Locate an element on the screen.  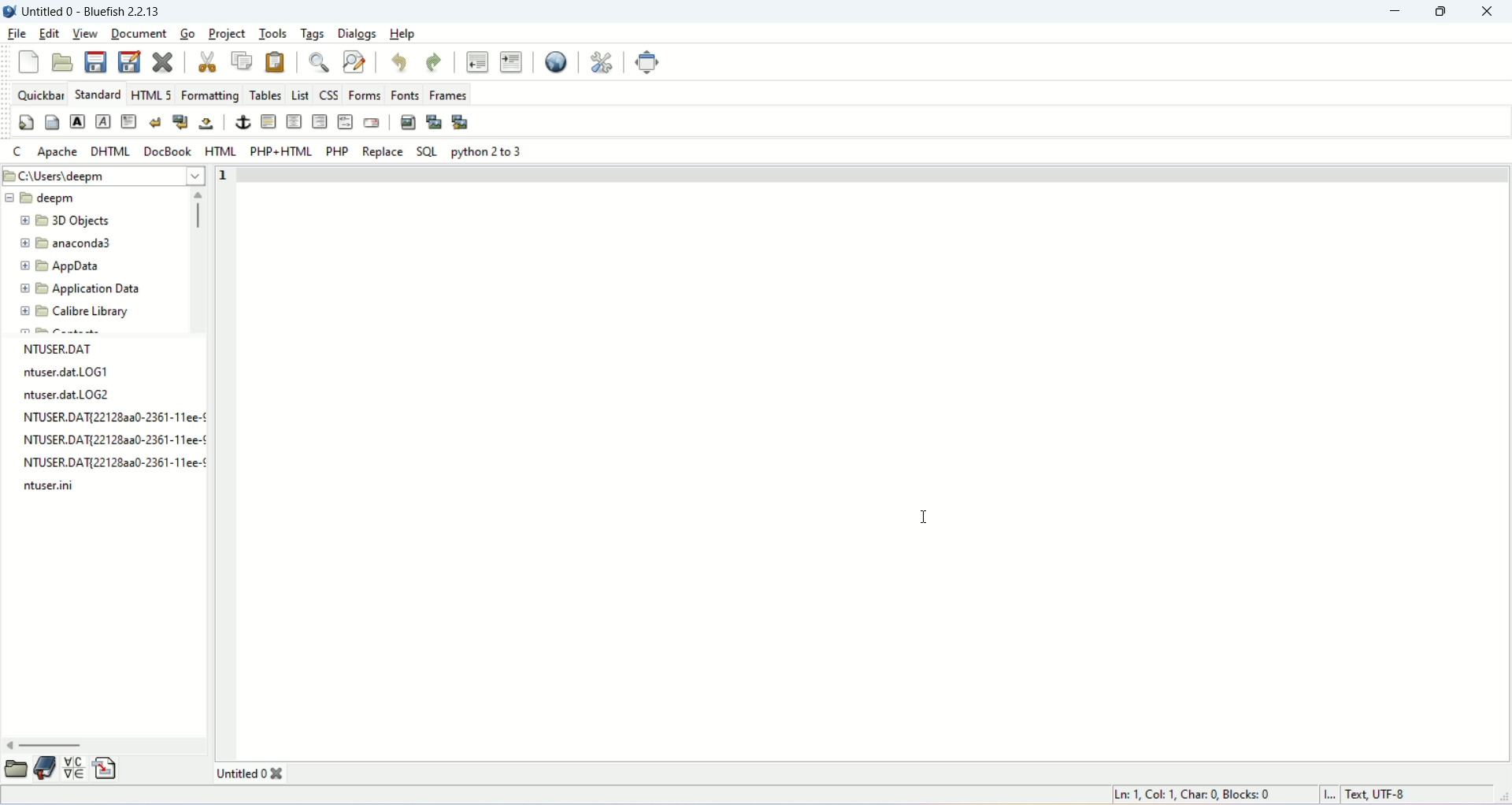
break is located at coordinates (152, 122).